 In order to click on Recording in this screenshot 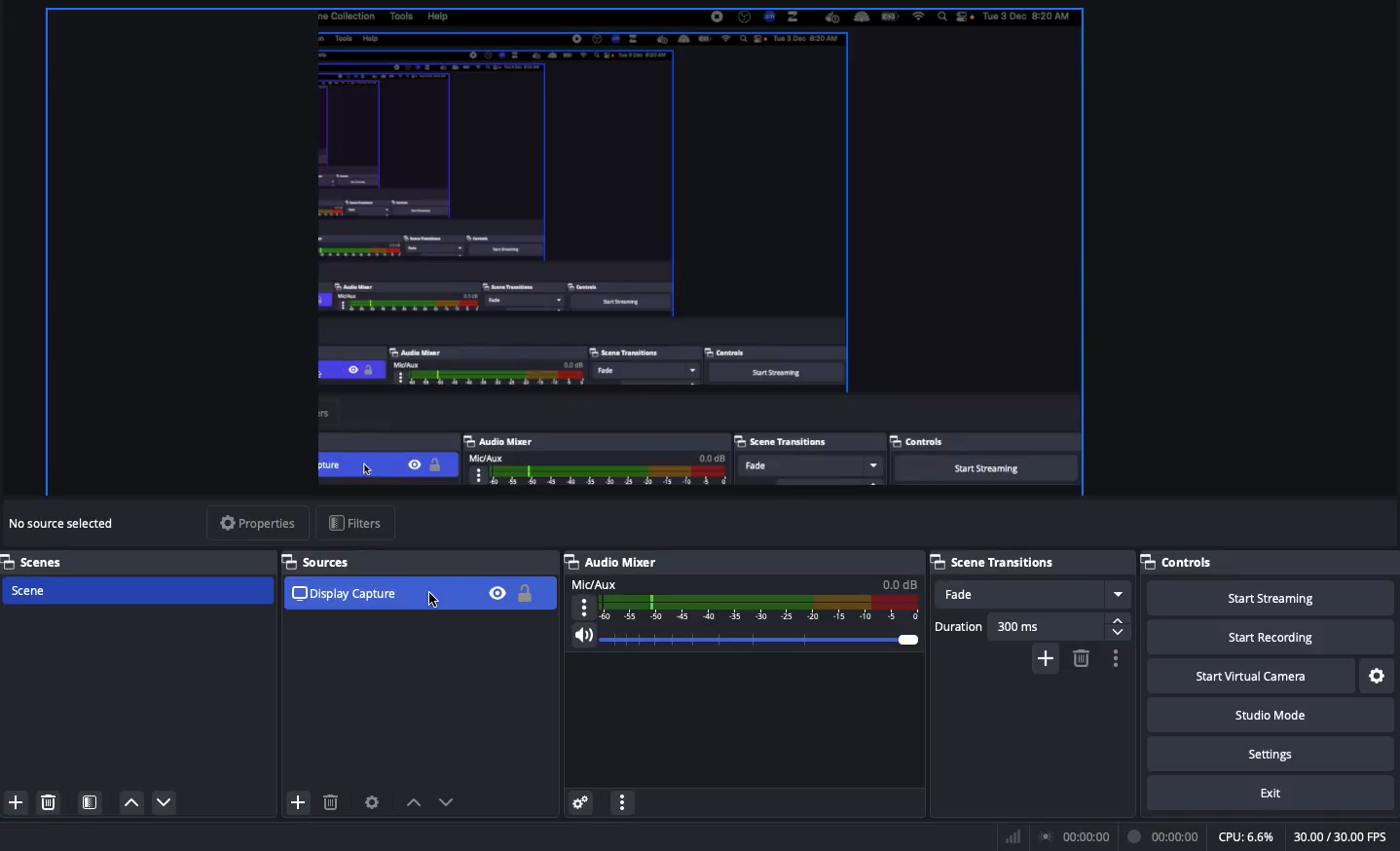, I will do `click(1164, 834)`.